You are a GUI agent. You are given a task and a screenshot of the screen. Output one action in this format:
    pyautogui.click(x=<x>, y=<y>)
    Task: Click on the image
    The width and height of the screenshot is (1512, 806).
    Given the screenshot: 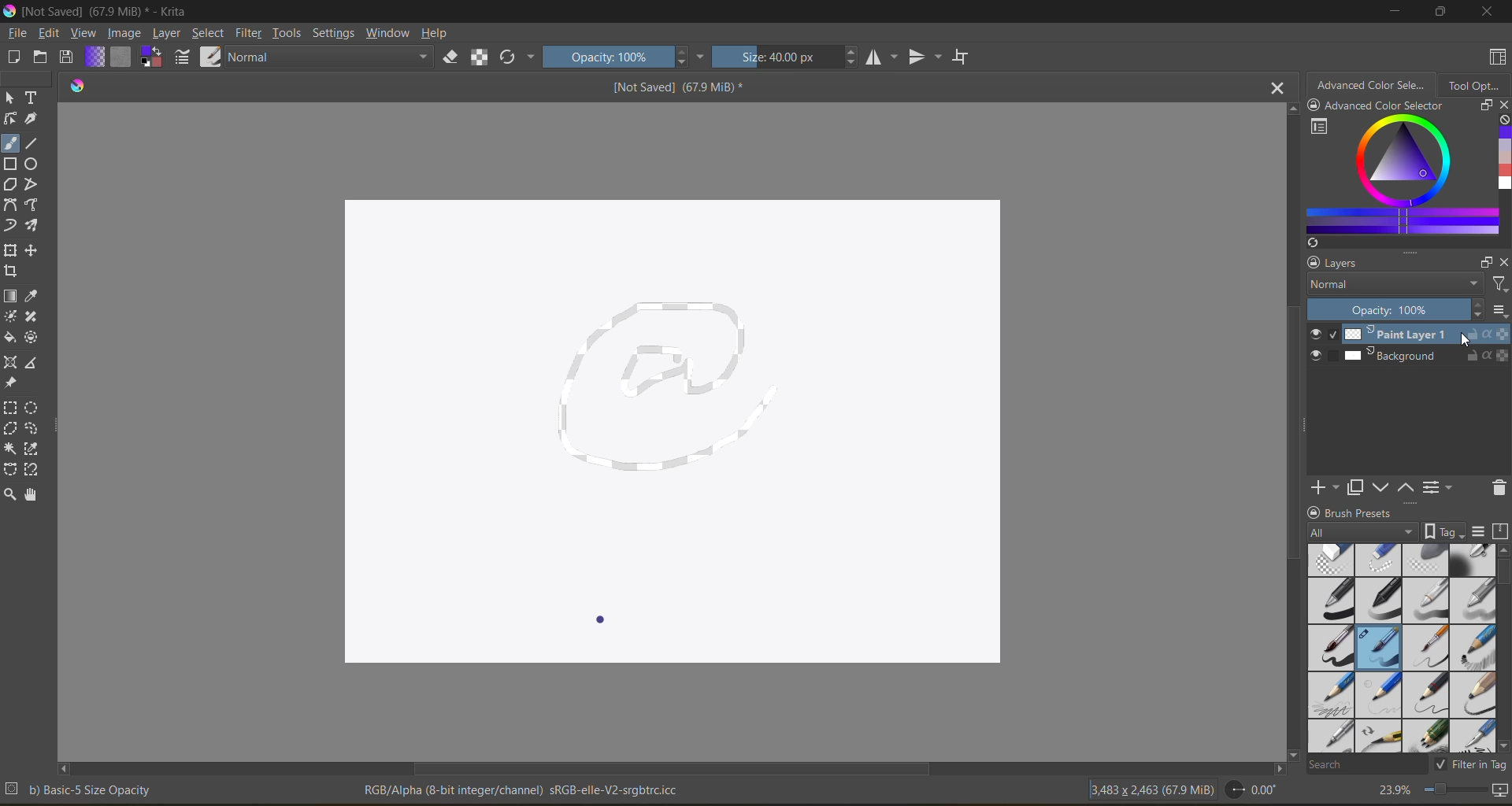 What is the action you would take?
    pyautogui.click(x=123, y=33)
    